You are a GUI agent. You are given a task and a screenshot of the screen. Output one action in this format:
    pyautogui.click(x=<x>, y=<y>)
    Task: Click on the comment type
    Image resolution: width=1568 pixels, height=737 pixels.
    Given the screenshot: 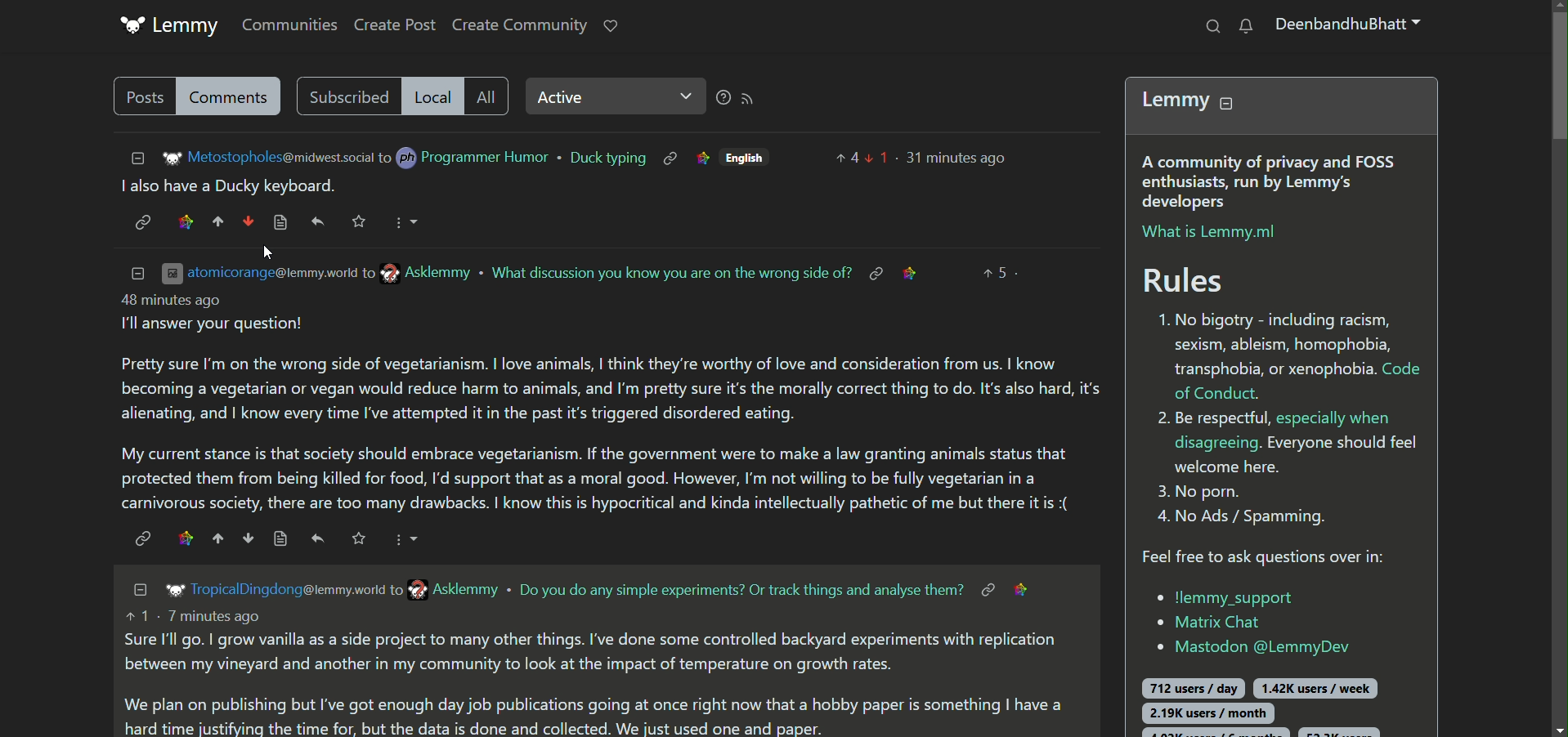 What is the action you would take?
    pyautogui.click(x=489, y=96)
    